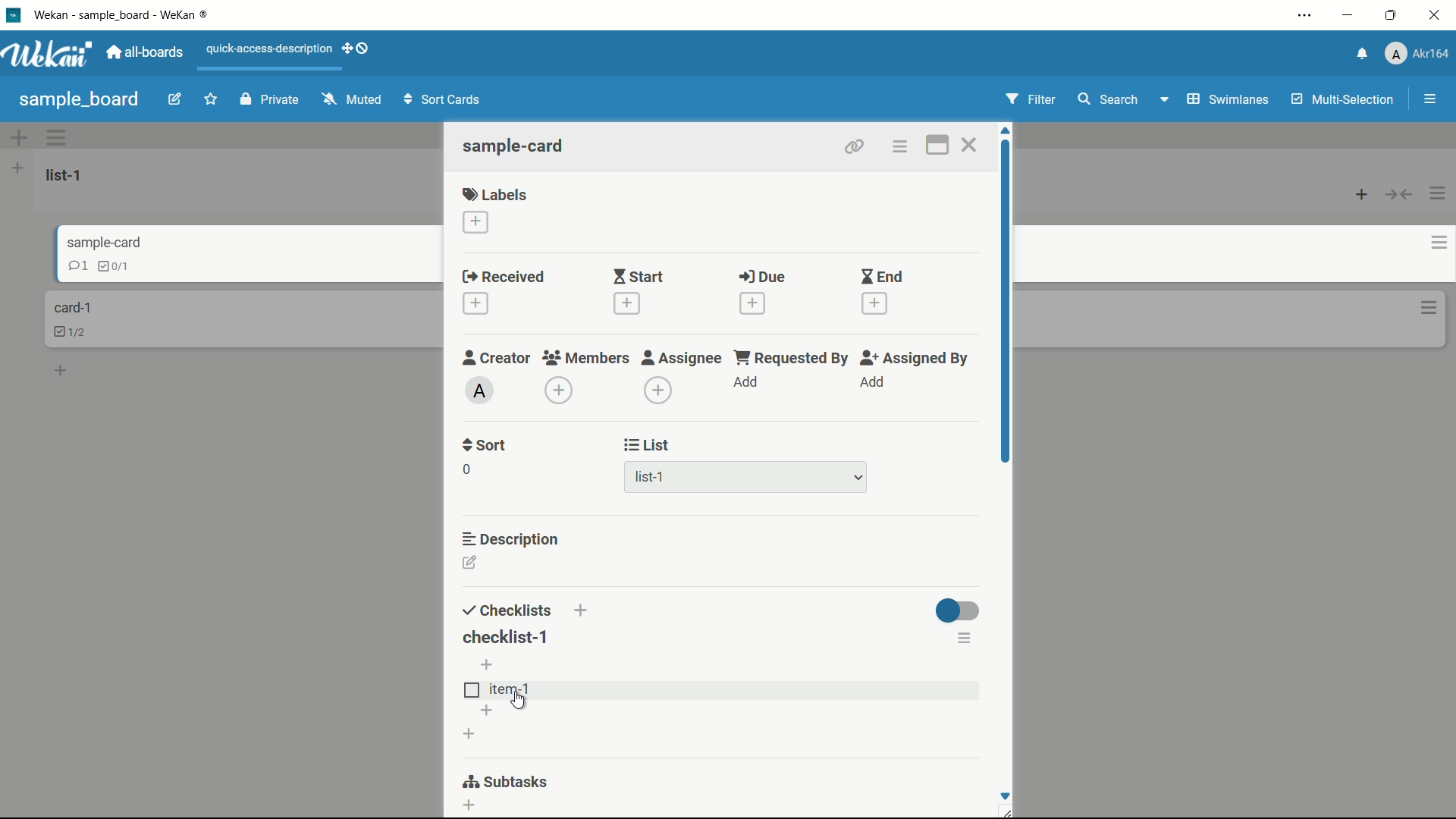 The image size is (1456, 819). I want to click on search, so click(1108, 99).